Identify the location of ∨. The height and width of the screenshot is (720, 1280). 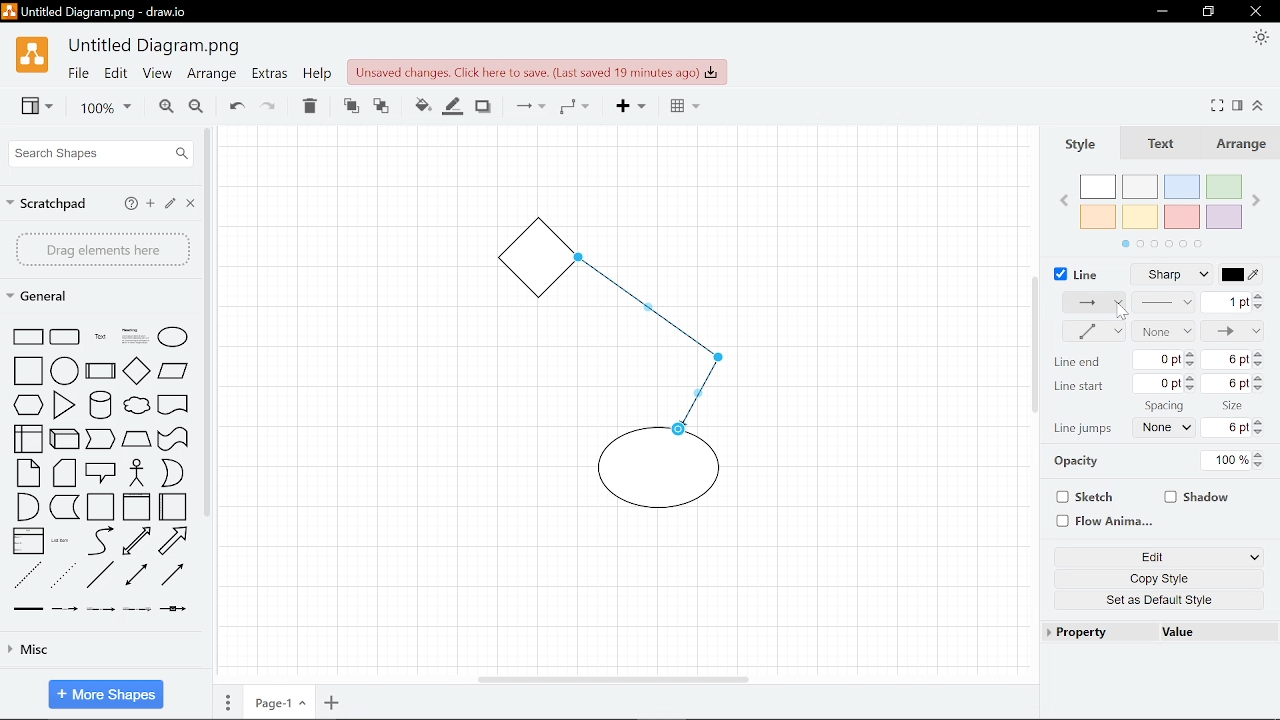
(1255, 558).